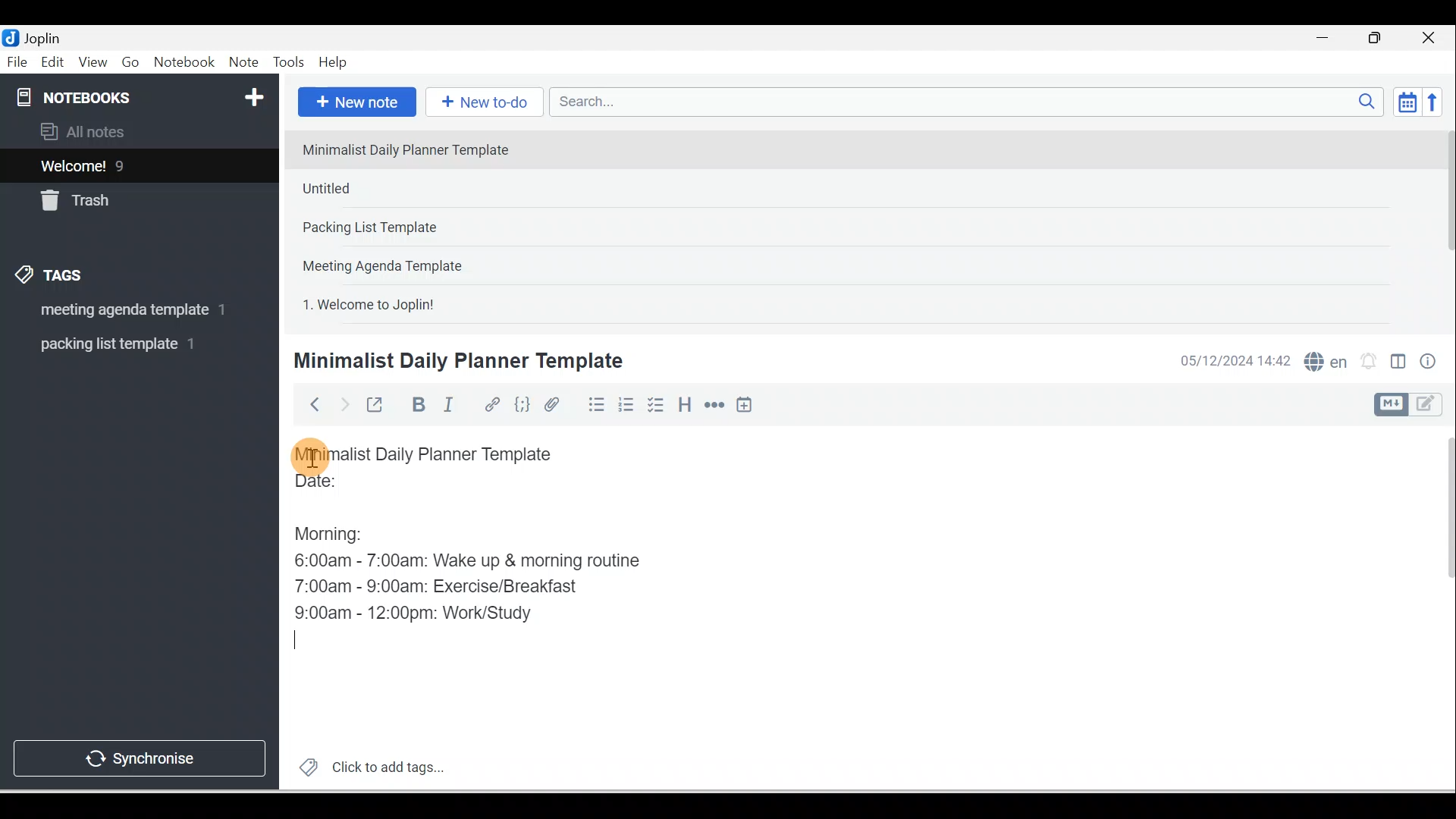 Image resolution: width=1456 pixels, height=819 pixels. What do you see at coordinates (1414, 405) in the screenshot?
I see `Toggle editor layout` at bounding box center [1414, 405].